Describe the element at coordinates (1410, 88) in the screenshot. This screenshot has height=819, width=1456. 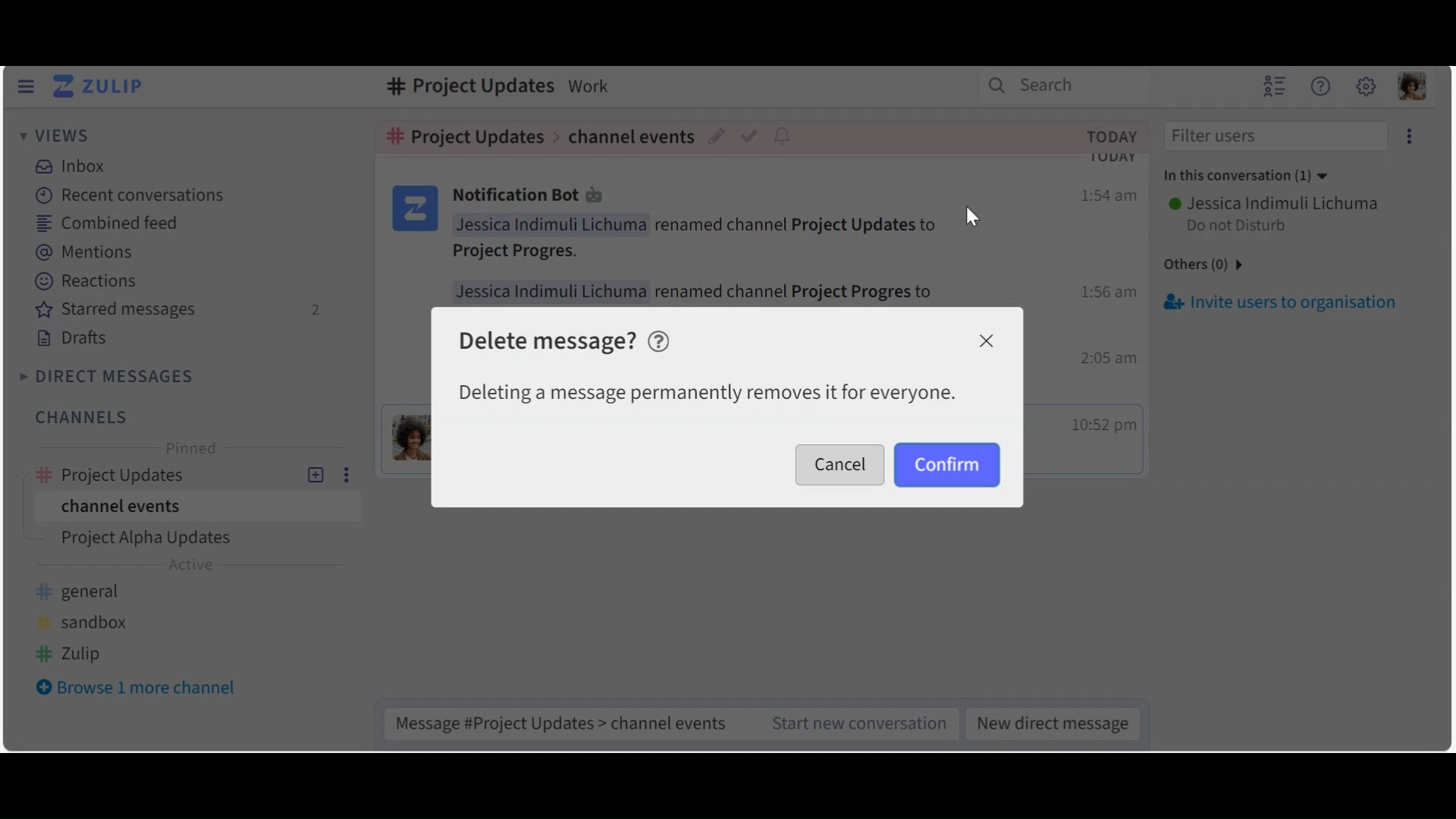
I see `Personal menu` at that location.